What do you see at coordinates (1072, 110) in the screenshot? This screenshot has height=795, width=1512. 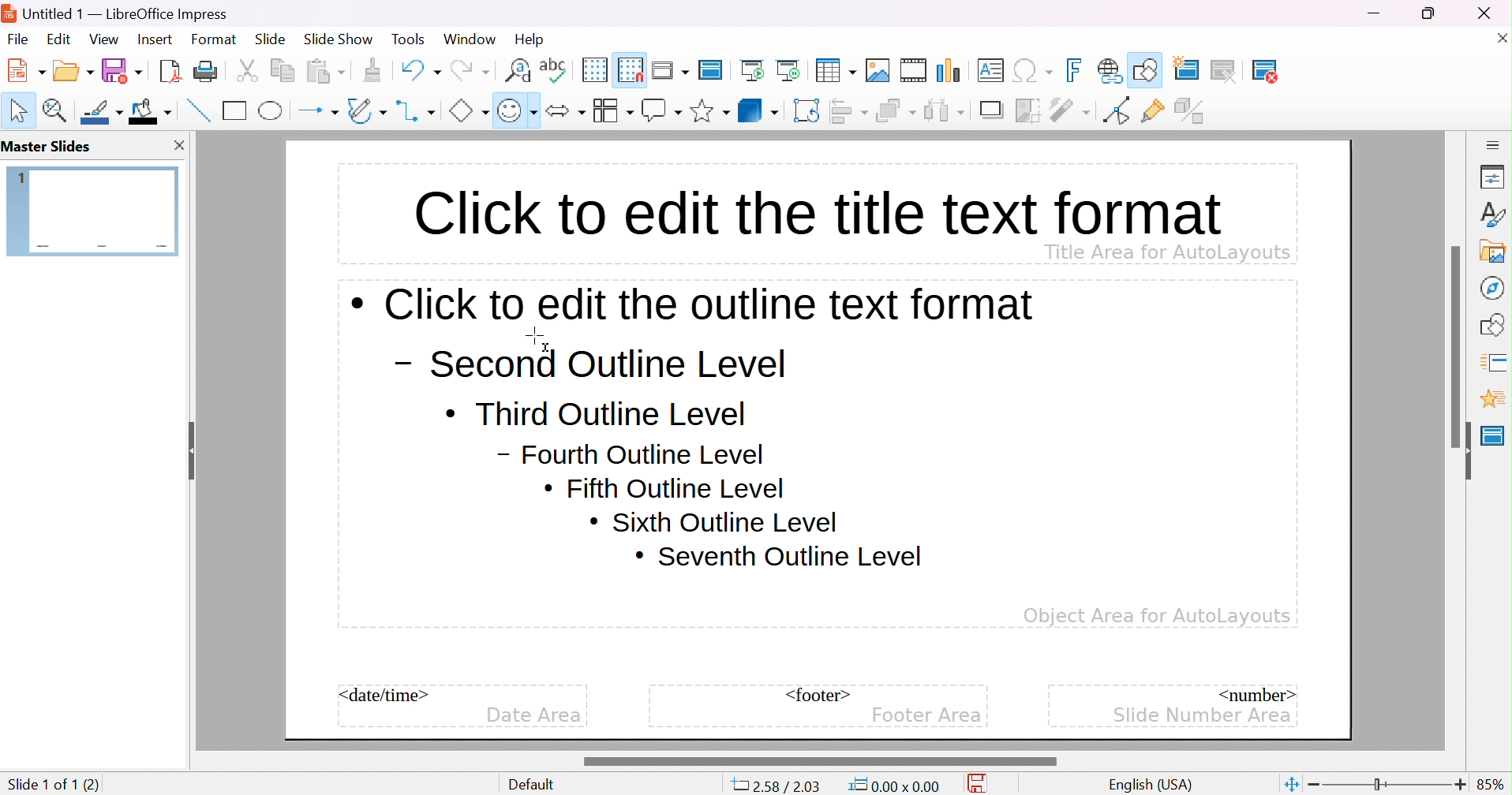 I see `filter` at bounding box center [1072, 110].